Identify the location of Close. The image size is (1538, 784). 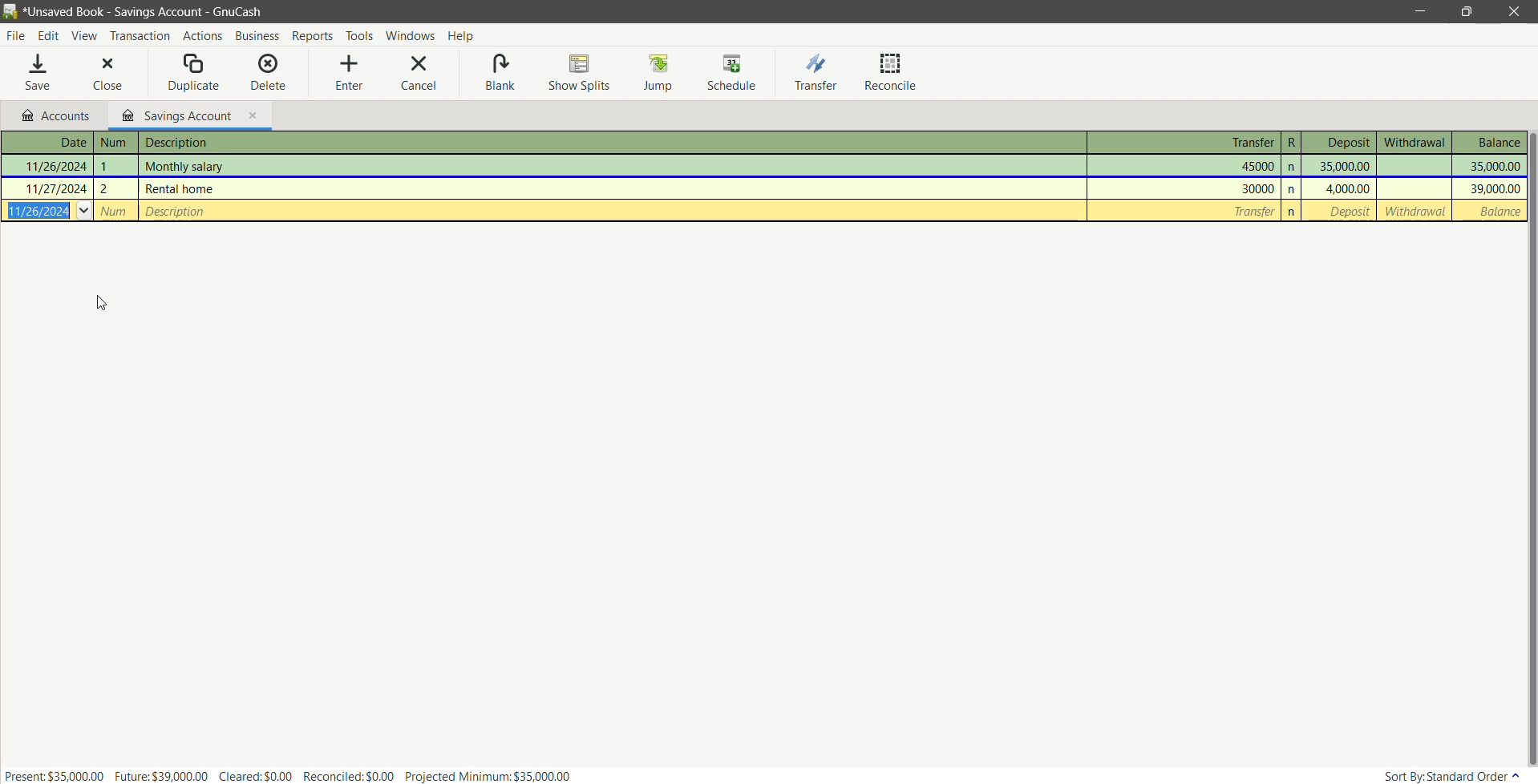
(1512, 11).